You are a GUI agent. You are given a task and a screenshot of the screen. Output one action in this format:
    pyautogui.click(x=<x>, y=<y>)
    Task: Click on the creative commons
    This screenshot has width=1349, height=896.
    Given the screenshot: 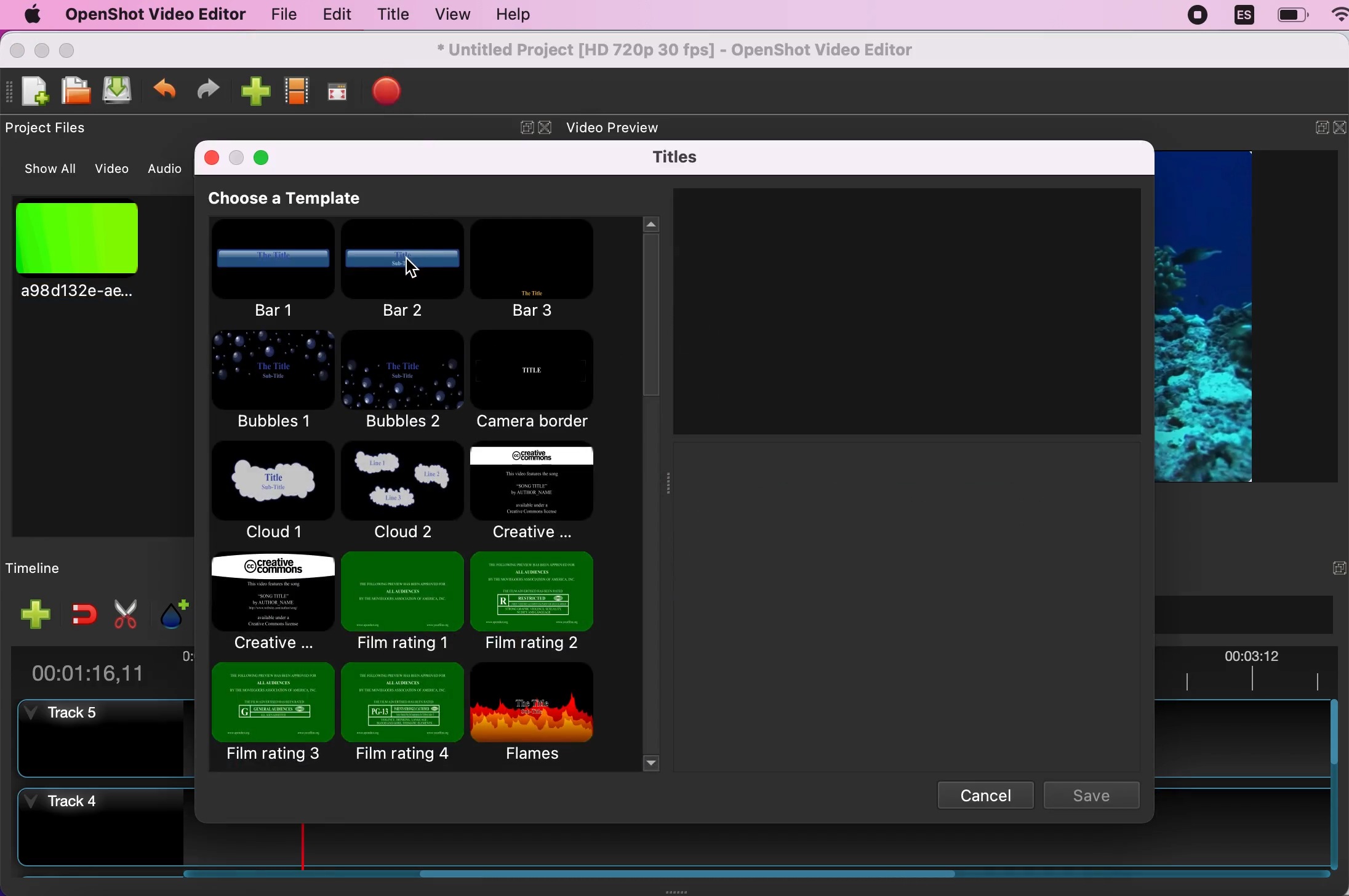 What is the action you would take?
    pyautogui.click(x=548, y=493)
    